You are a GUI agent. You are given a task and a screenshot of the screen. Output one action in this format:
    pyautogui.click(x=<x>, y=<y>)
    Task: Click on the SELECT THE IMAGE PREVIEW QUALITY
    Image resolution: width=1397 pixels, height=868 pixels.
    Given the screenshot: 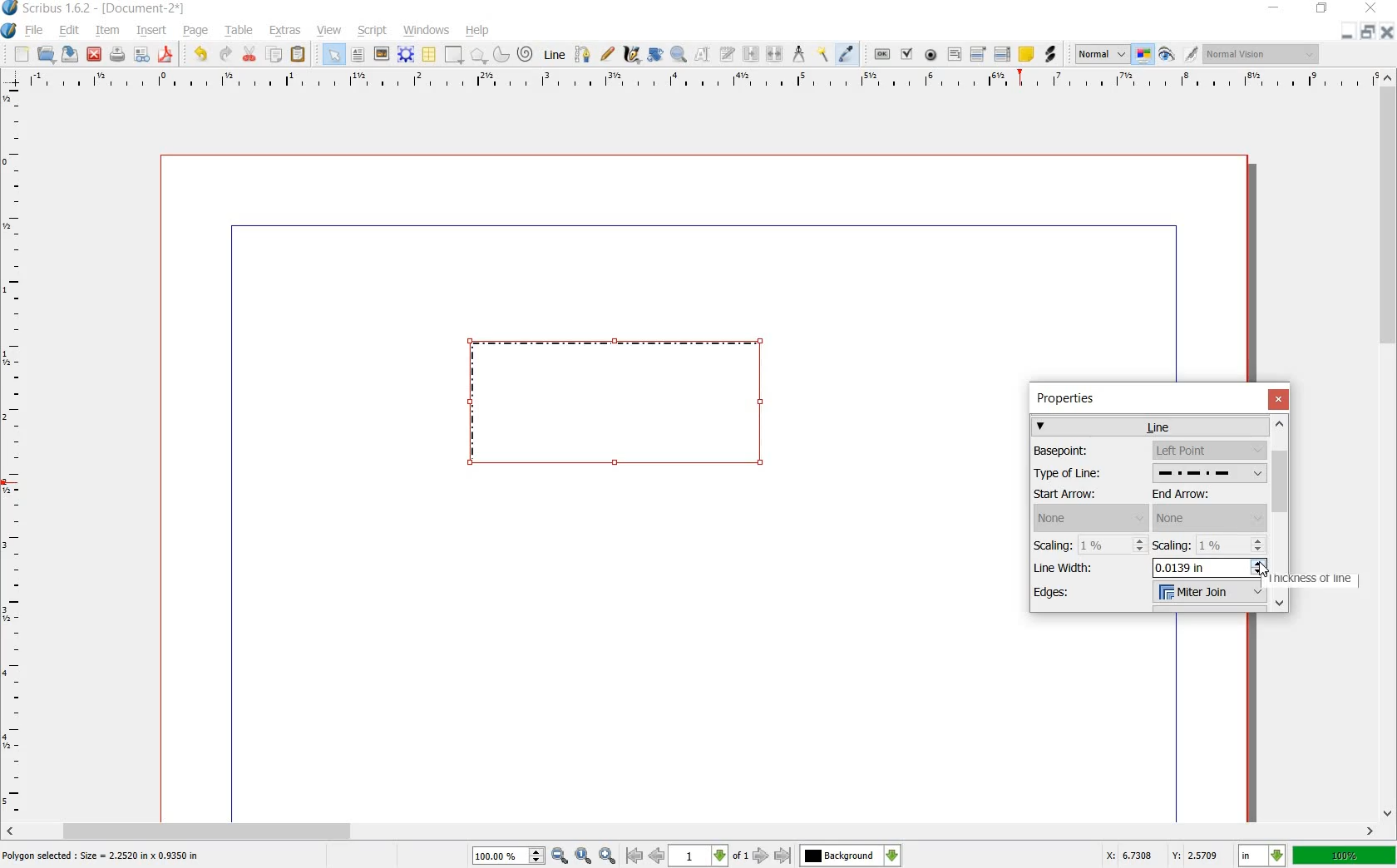 What is the action you would take?
    pyautogui.click(x=1098, y=54)
    